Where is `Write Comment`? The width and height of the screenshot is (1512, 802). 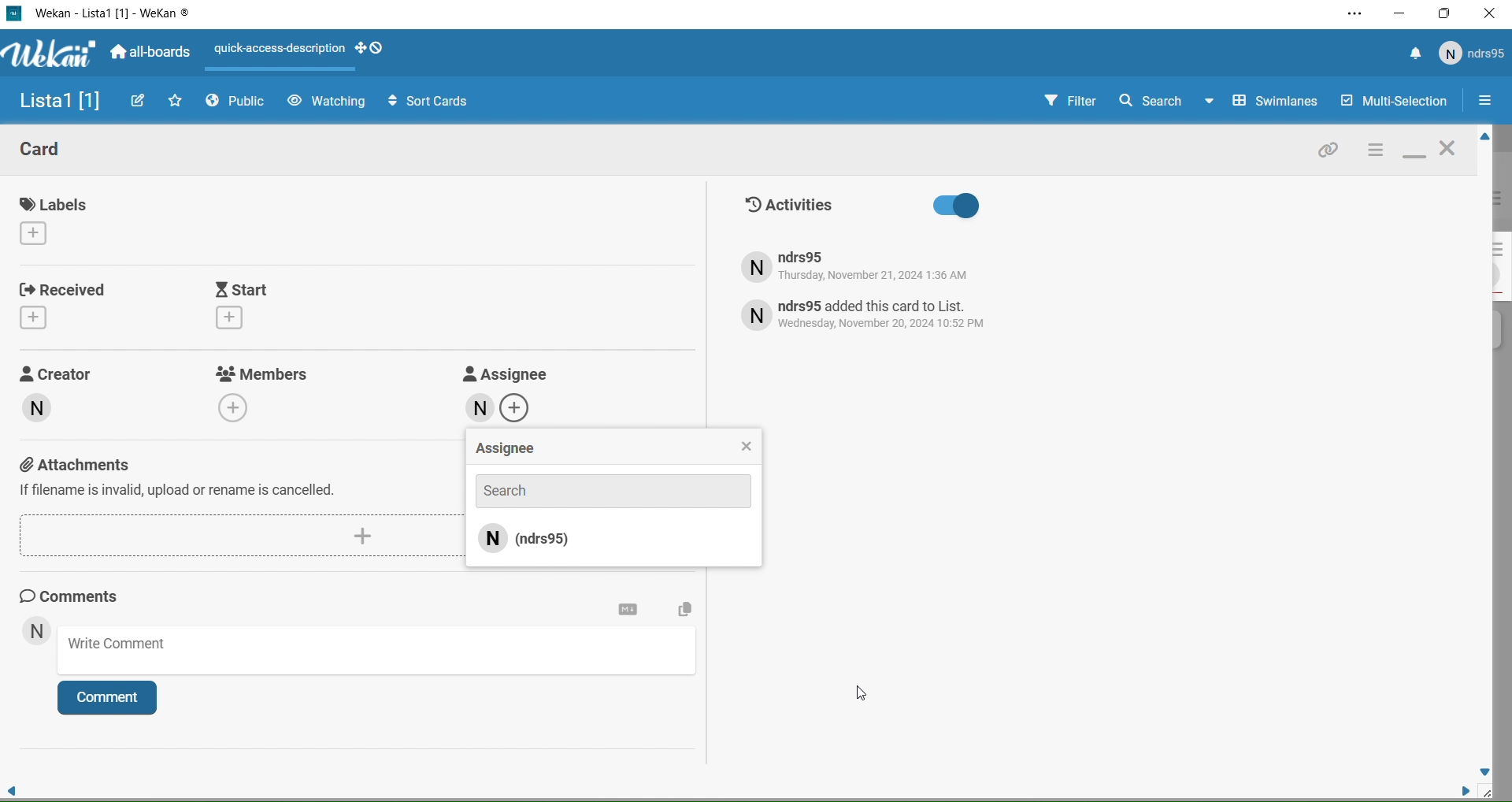 Write Comment is located at coordinates (381, 653).